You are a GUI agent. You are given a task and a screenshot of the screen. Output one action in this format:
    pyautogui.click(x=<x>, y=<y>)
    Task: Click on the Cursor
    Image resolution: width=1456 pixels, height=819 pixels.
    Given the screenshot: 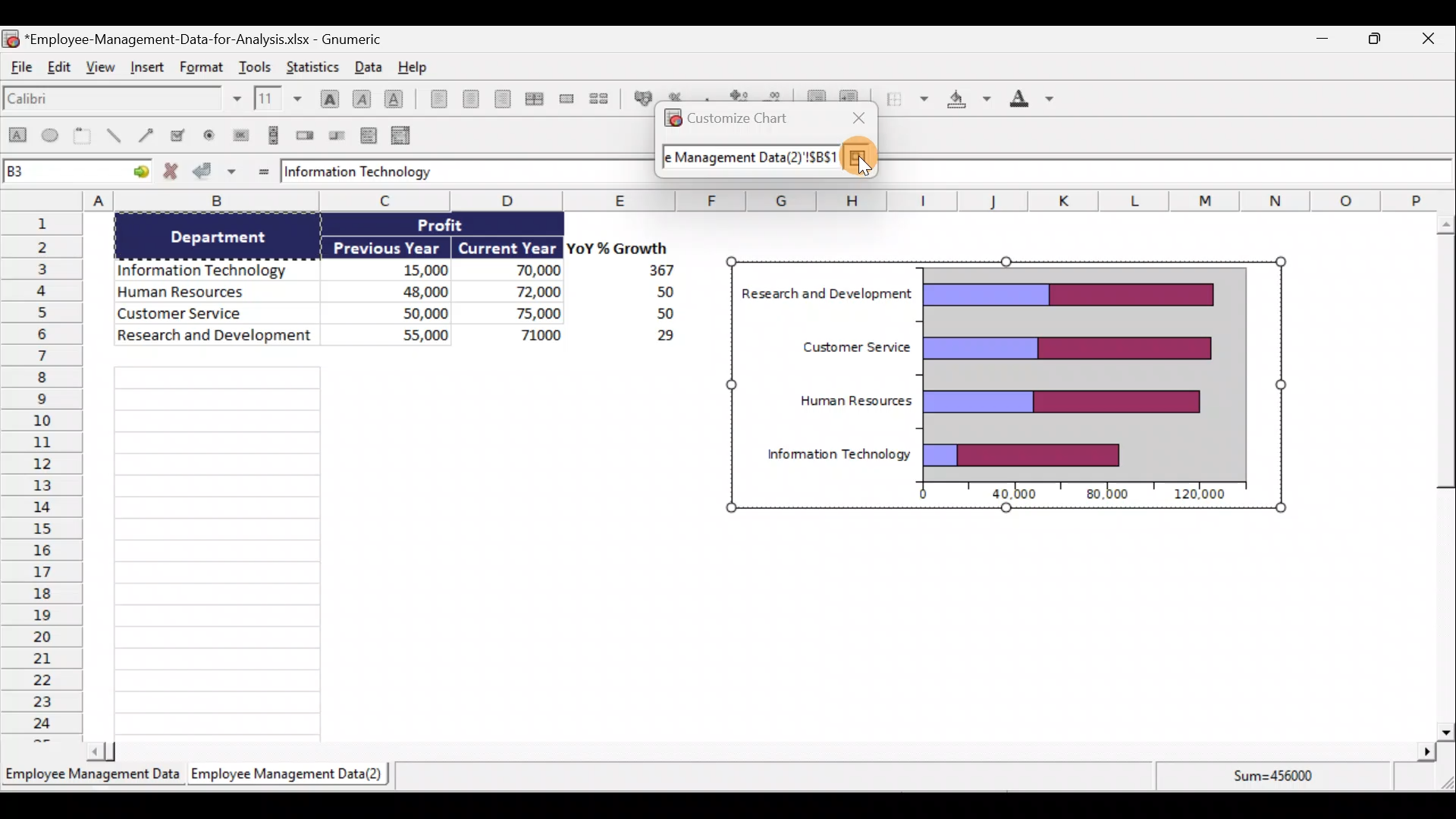 What is the action you would take?
    pyautogui.click(x=856, y=160)
    